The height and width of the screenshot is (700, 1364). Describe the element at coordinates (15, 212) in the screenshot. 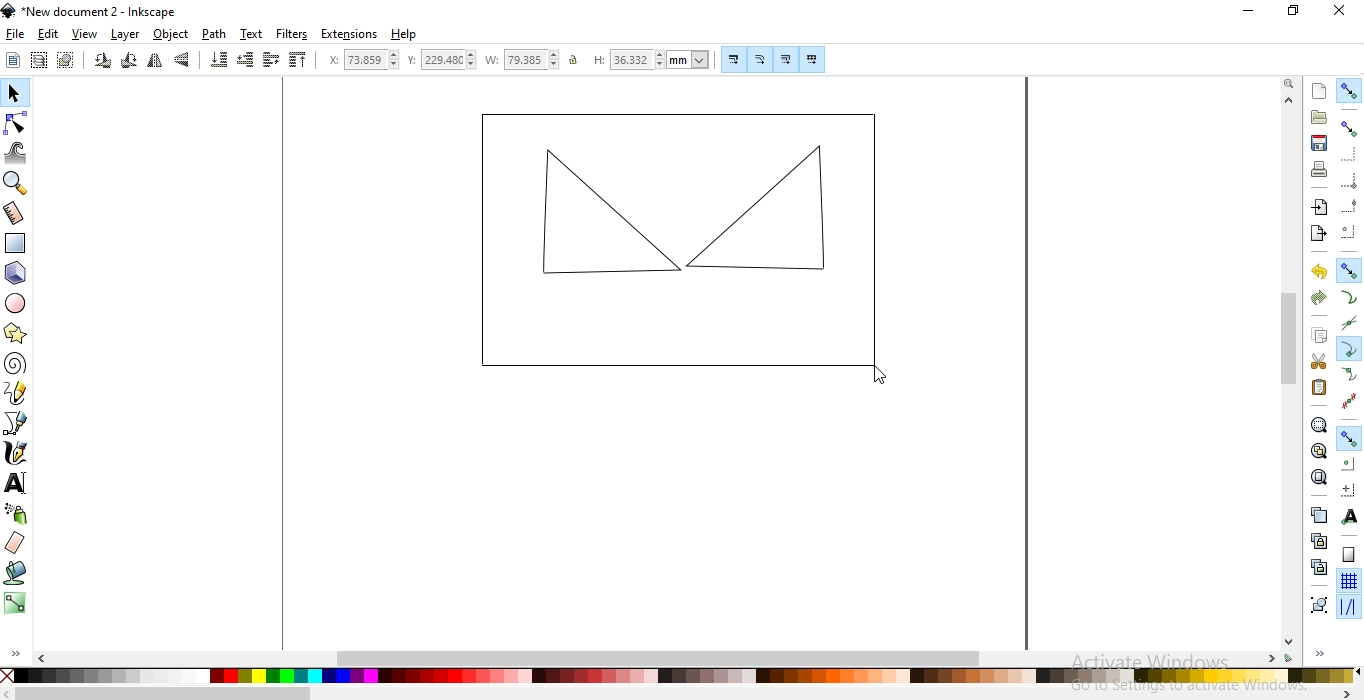

I see `measurement tool` at that location.